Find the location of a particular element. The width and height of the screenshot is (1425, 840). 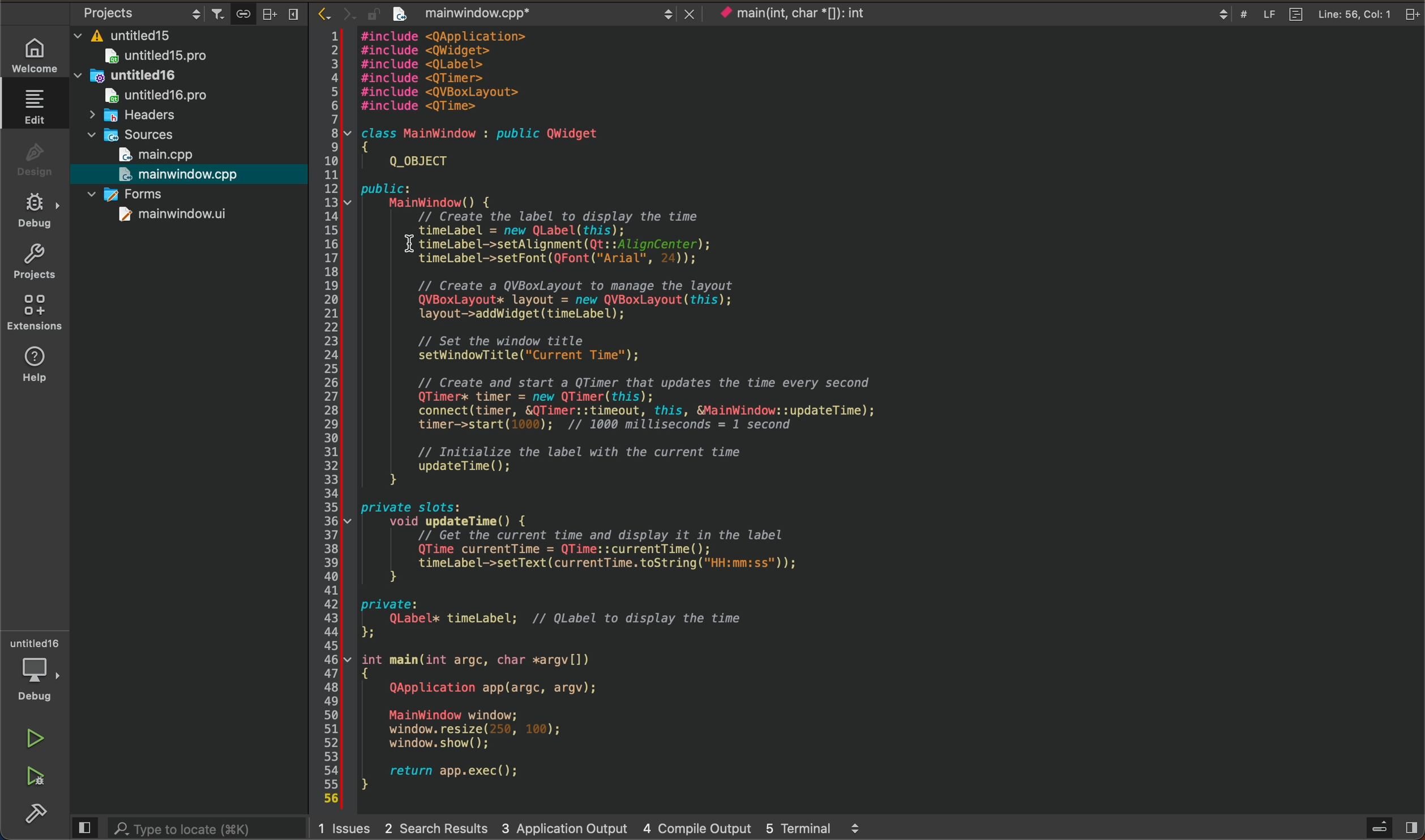

lock/unlock is located at coordinates (374, 14).